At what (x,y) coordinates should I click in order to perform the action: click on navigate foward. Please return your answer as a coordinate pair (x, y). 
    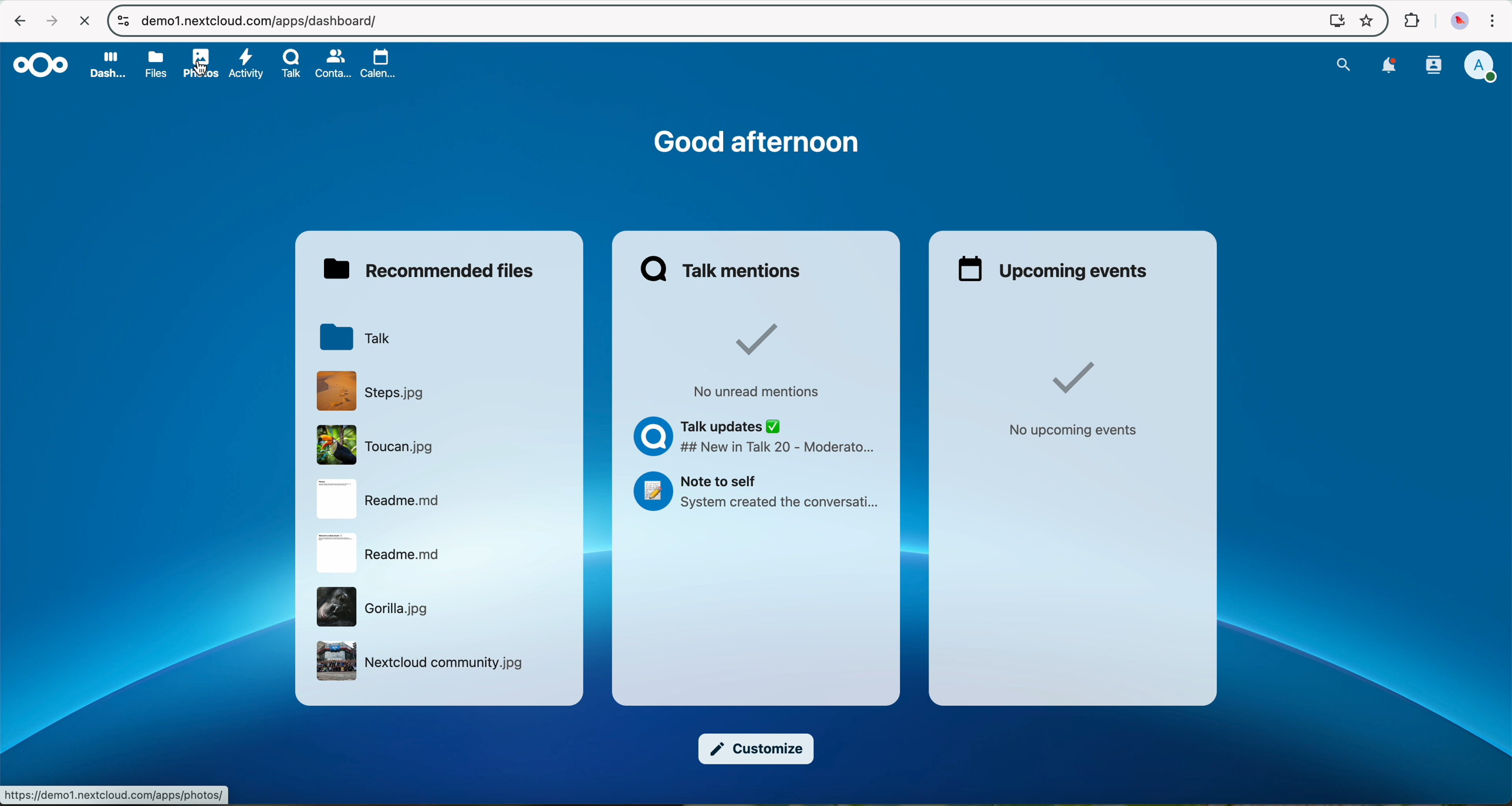
    Looking at the image, I should click on (49, 21).